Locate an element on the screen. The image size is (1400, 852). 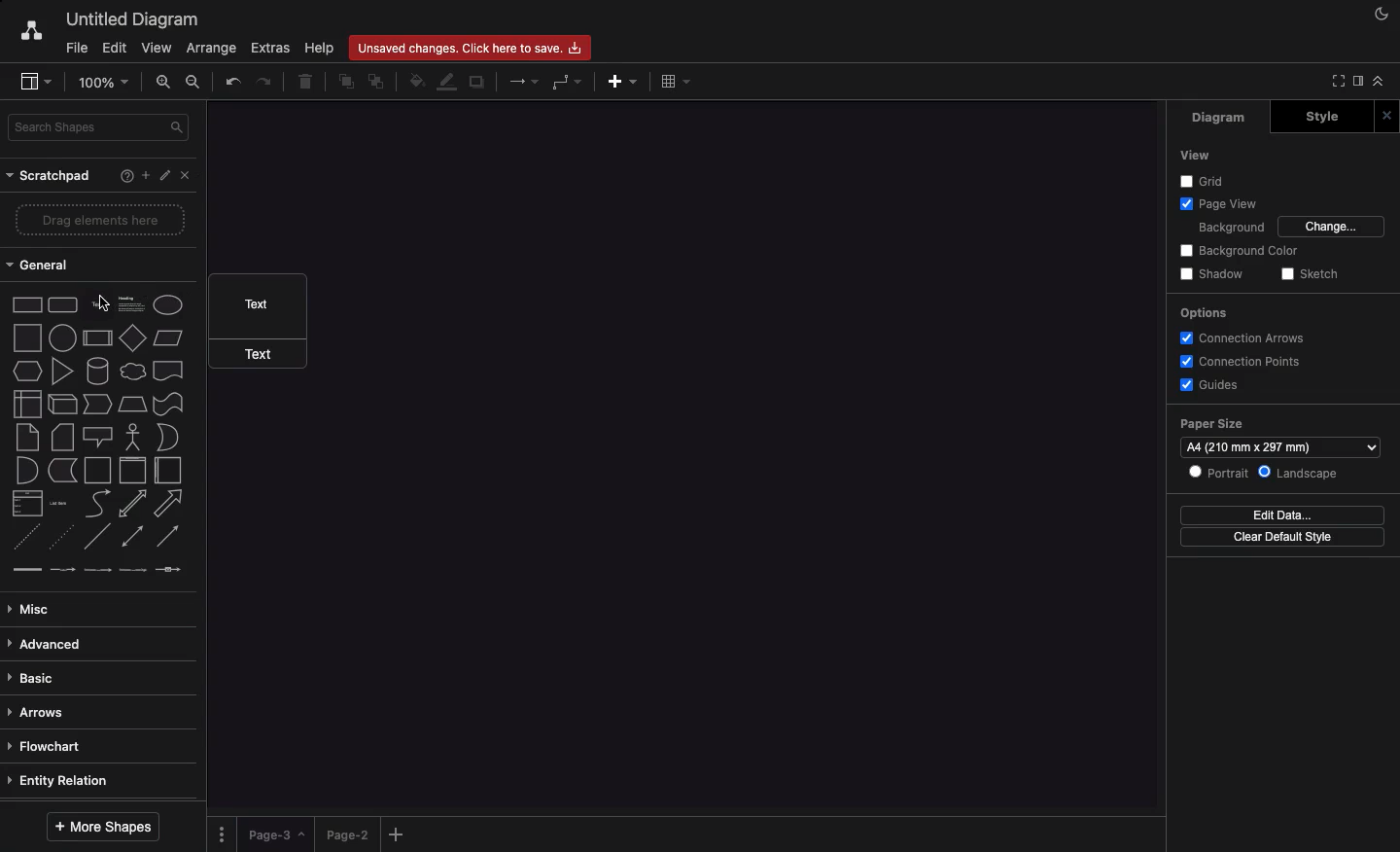
Help is located at coordinates (318, 48).